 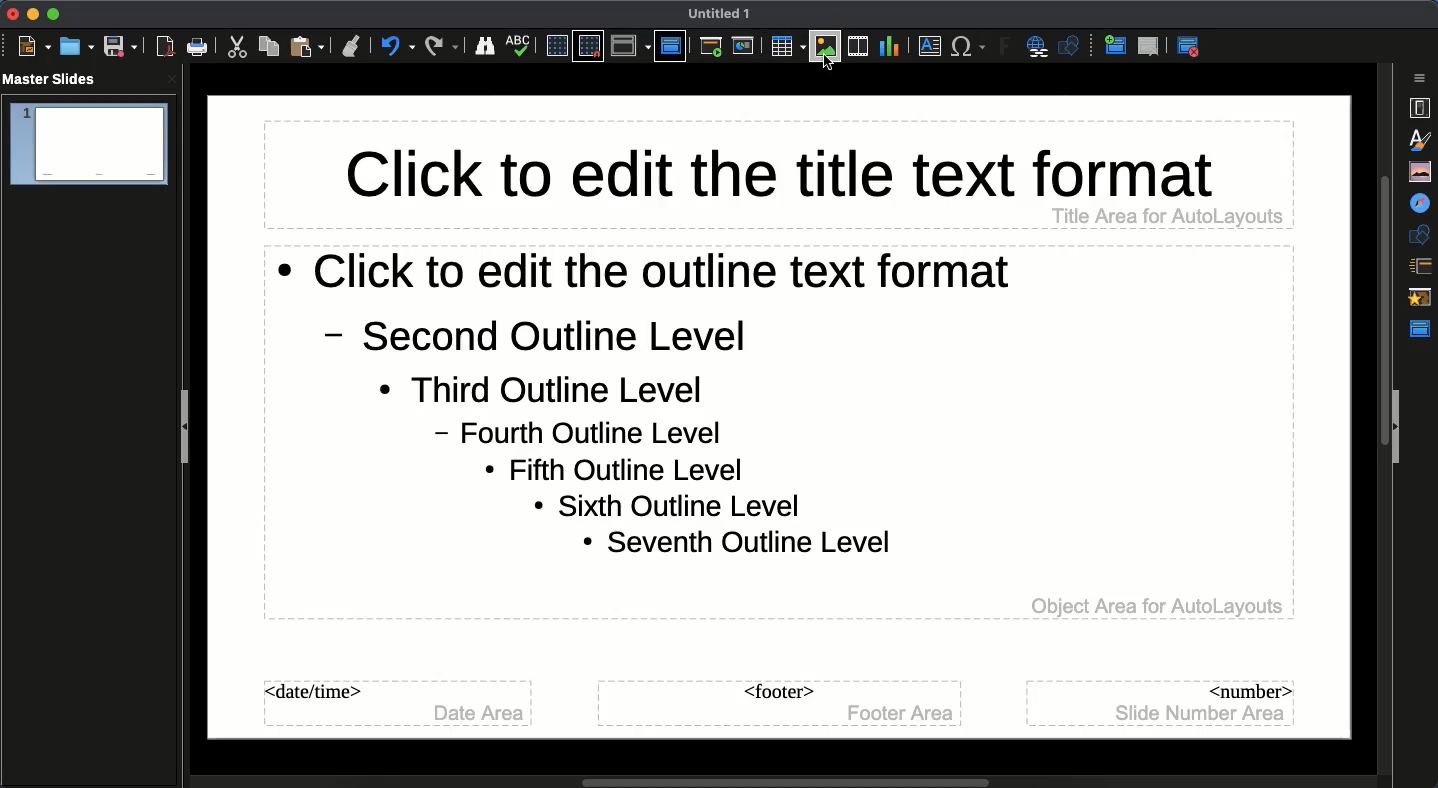 What do you see at coordinates (555, 45) in the screenshot?
I see `Display grid` at bounding box center [555, 45].